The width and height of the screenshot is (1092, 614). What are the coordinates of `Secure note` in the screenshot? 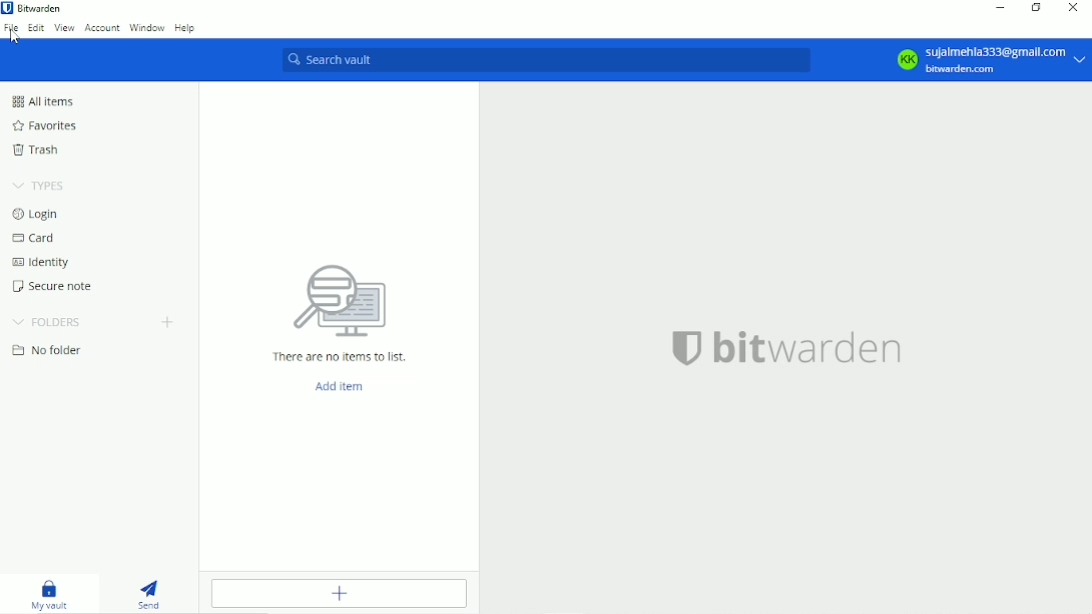 It's located at (53, 286).